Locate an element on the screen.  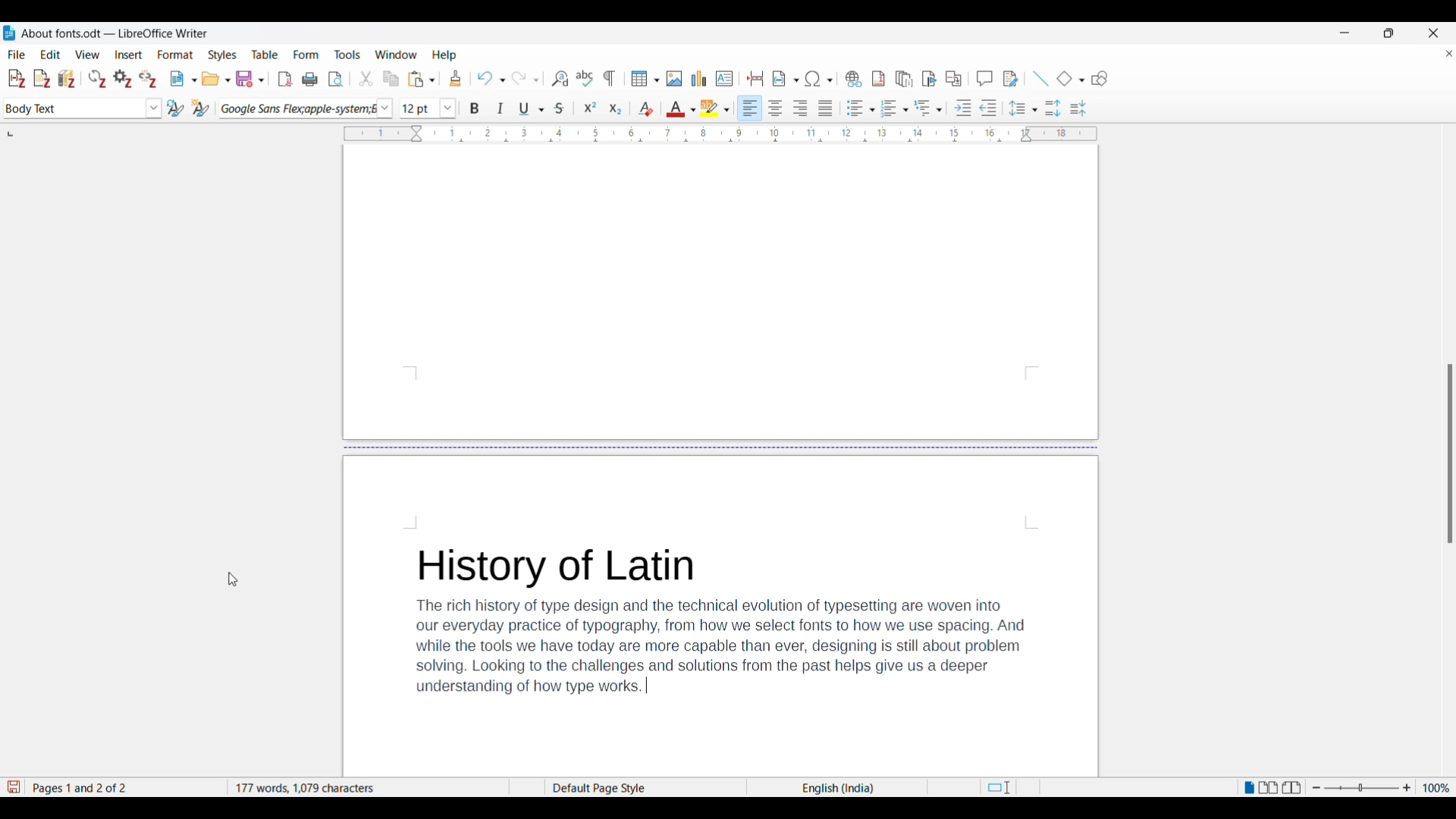
Styles menu is located at coordinates (222, 55).